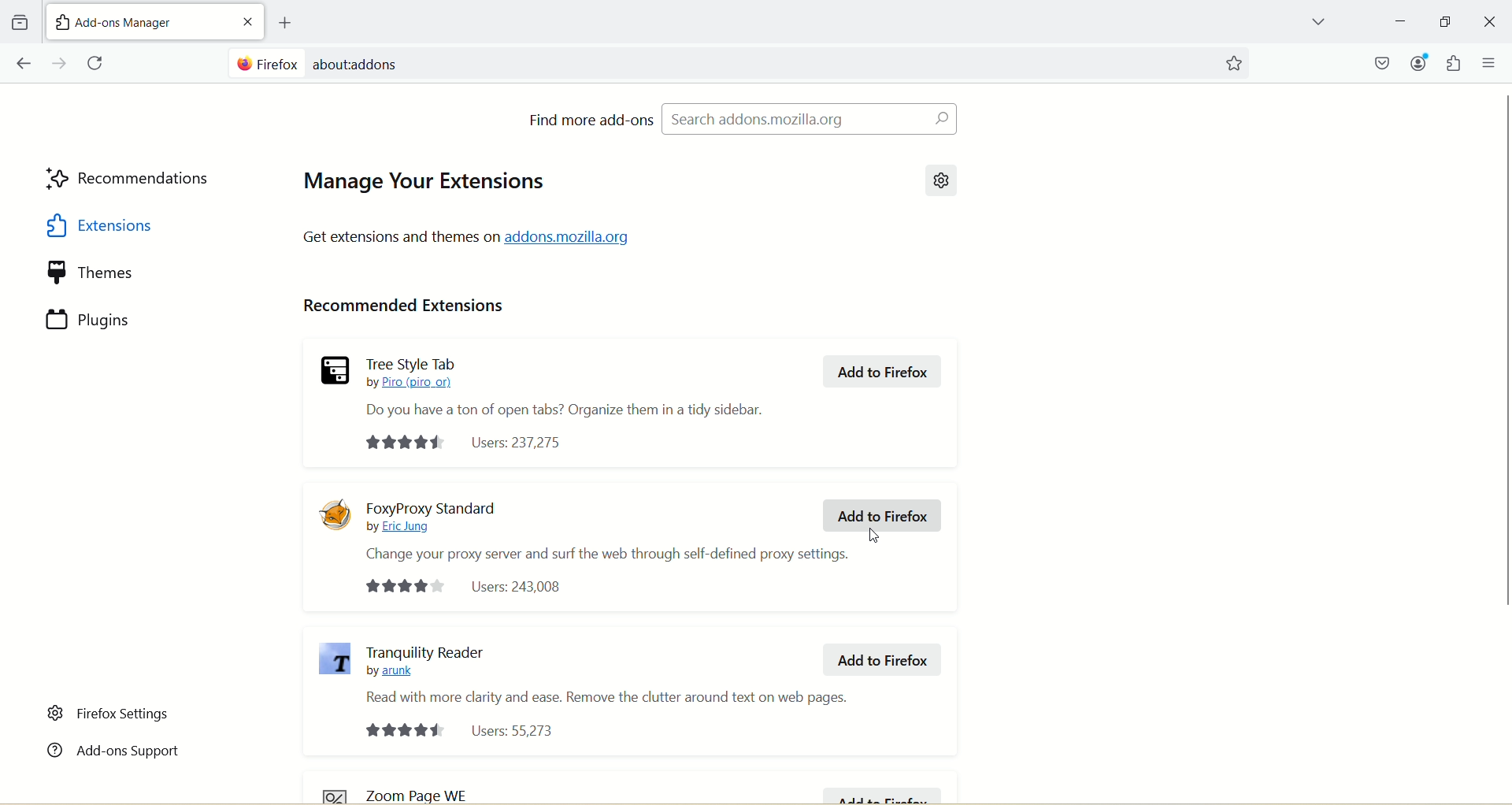  Describe the element at coordinates (468, 237) in the screenshot. I see `Get extensions and themes on addons.mozilla.org` at that location.